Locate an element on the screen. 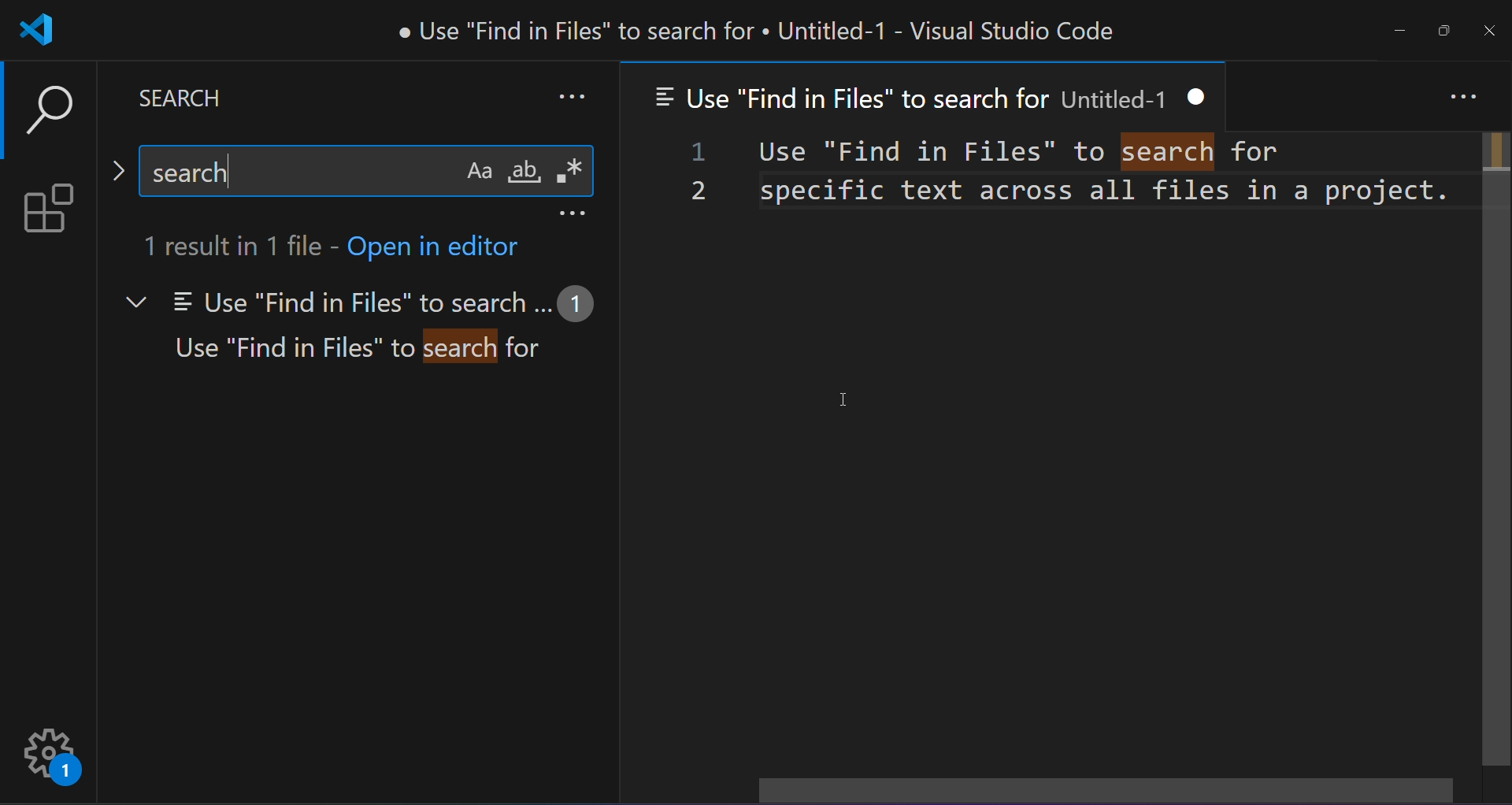 This screenshot has width=1512, height=805. regular expression is located at coordinates (571, 169).